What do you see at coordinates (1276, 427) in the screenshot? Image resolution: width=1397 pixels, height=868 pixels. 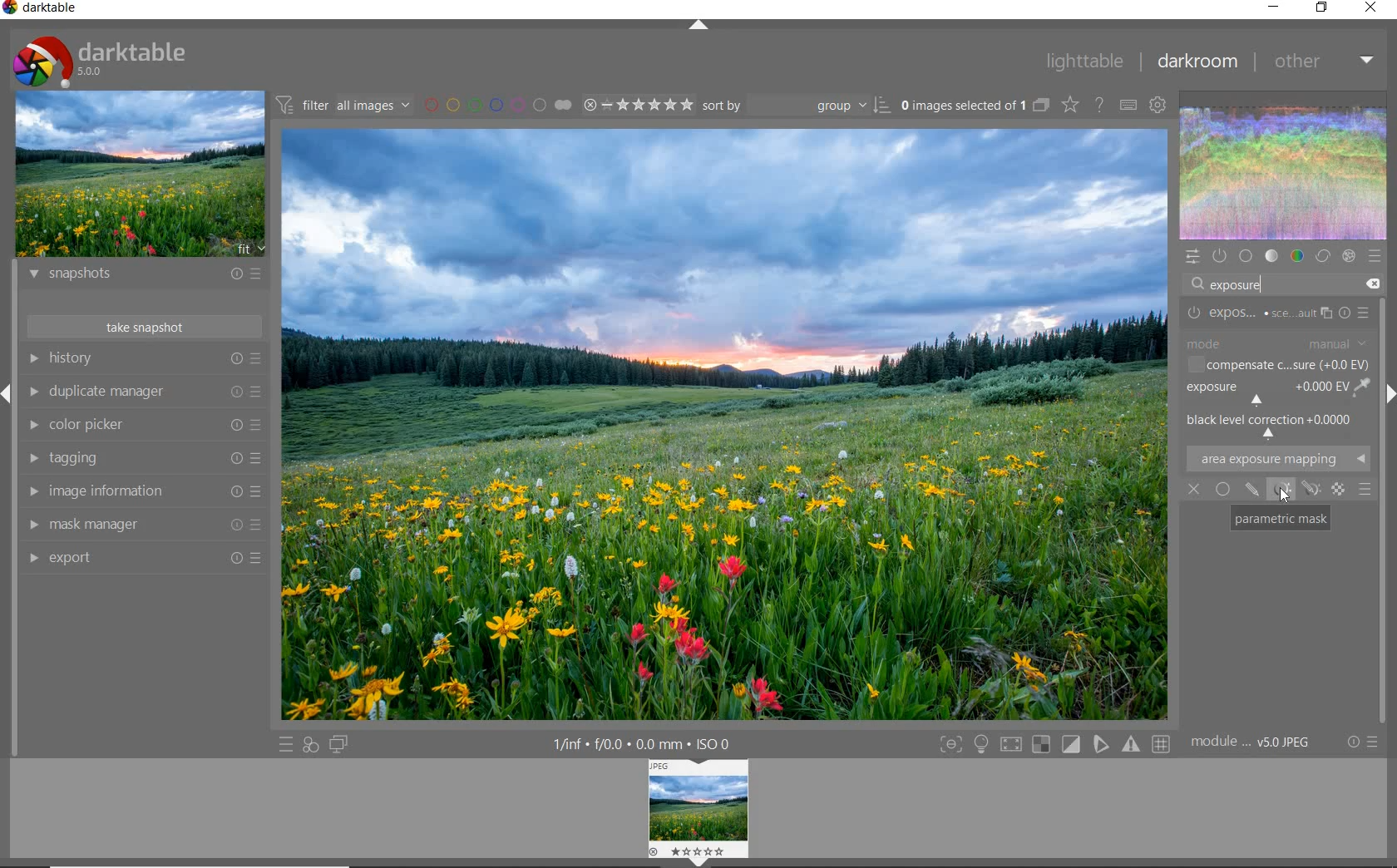 I see `BLACK LEVL CORRECTION` at bounding box center [1276, 427].